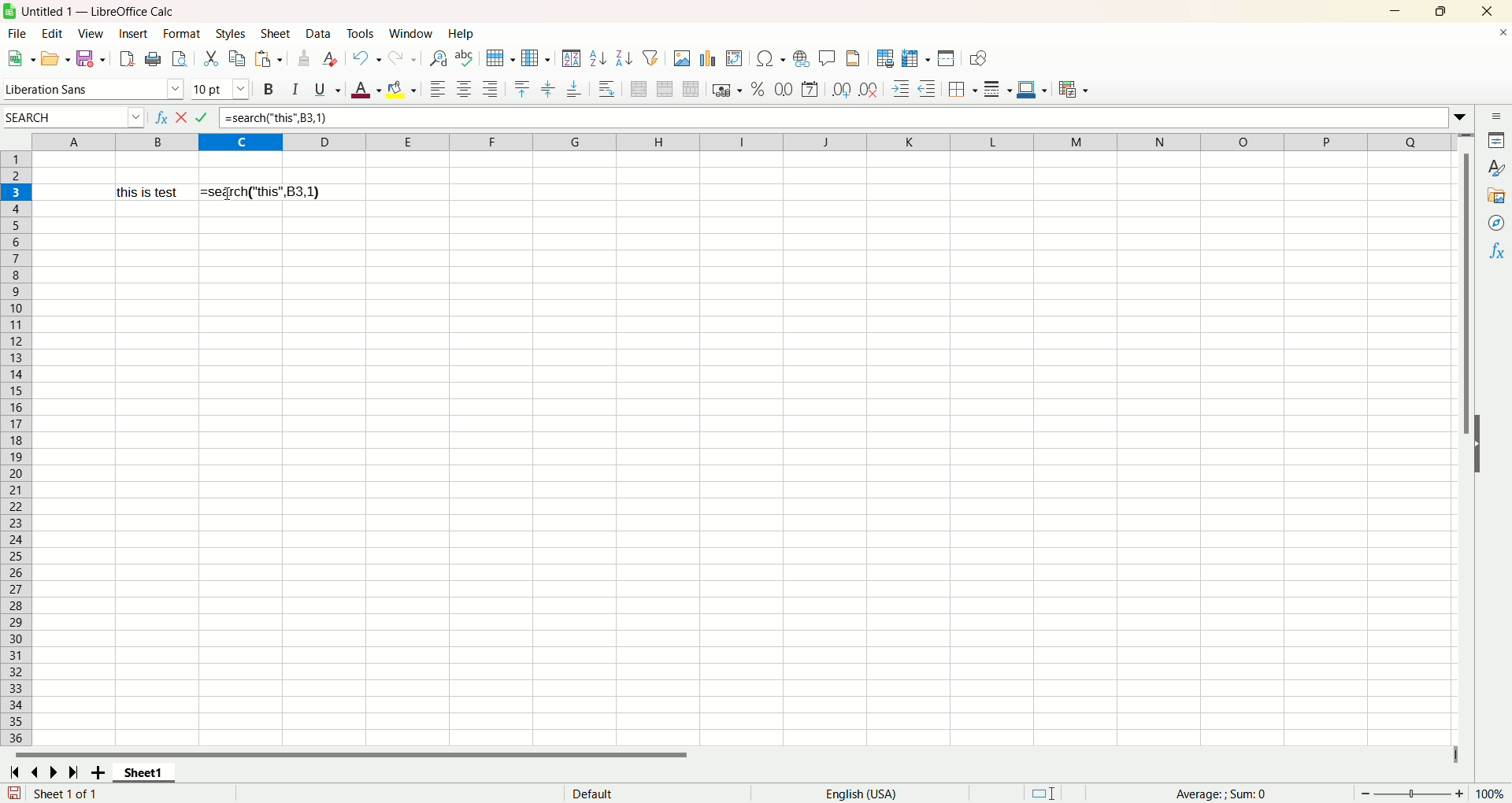 This screenshot has width=1512, height=803. Describe the element at coordinates (1503, 35) in the screenshot. I see `close document` at that location.